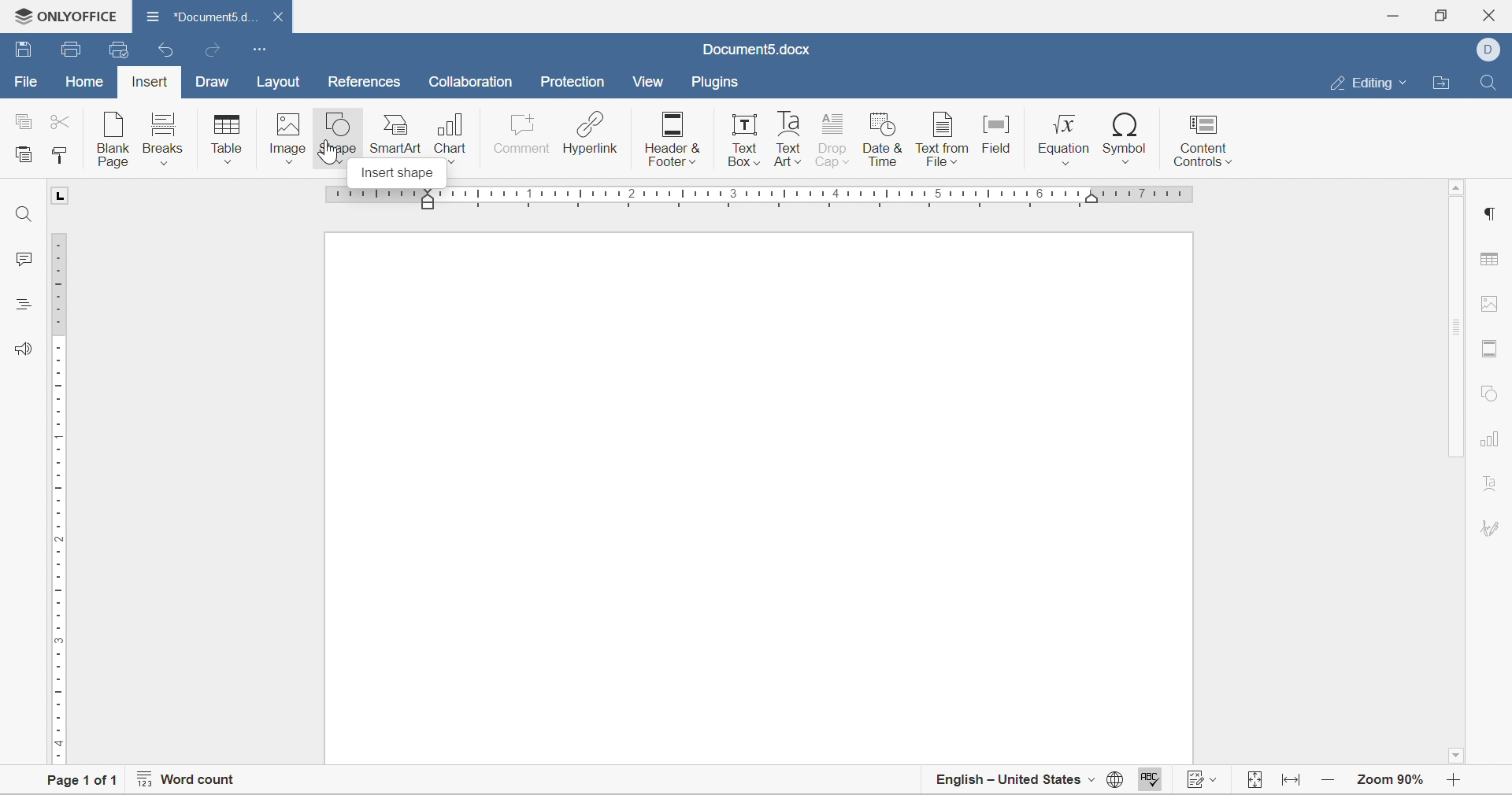 The height and width of the screenshot is (795, 1512). Describe the element at coordinates (335, 133) in the screenshot. I see `shape` at that location.